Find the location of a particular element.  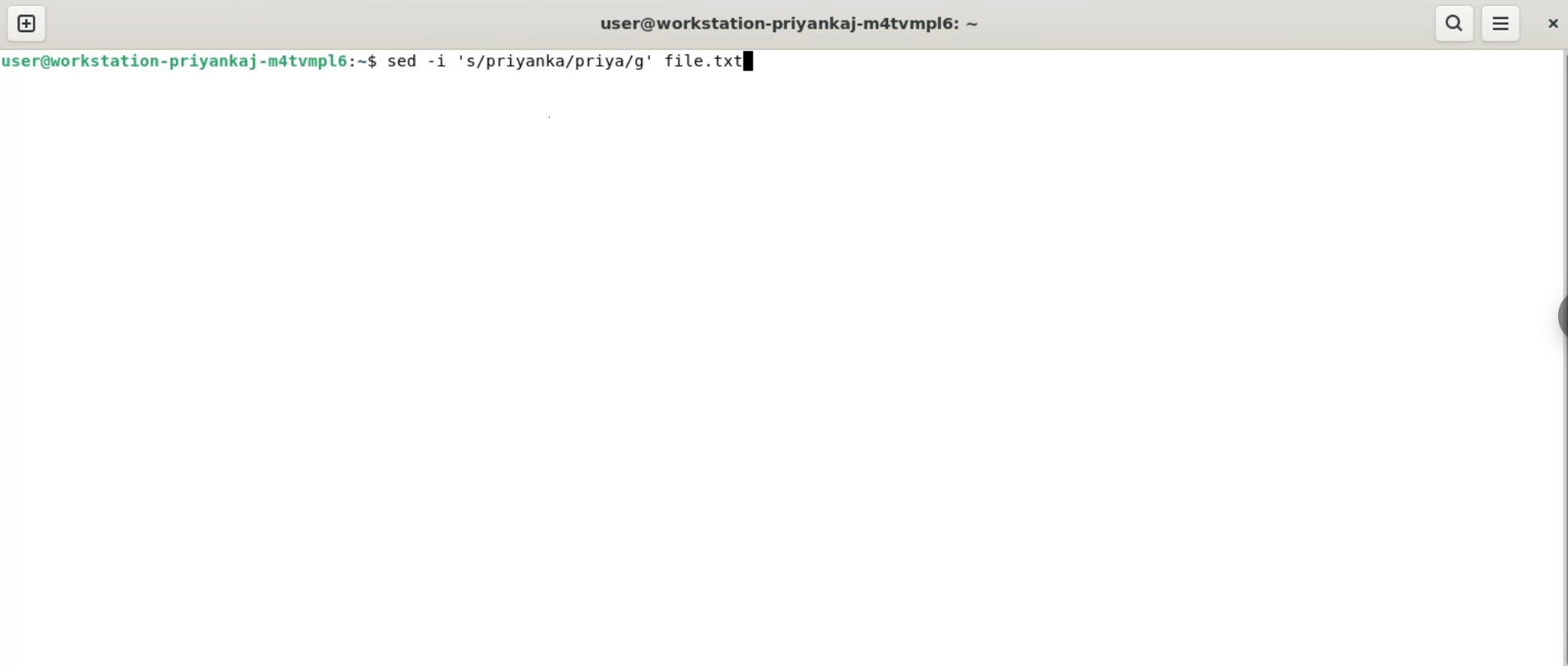

user@workstation-priyankaj-matvmpl6:~$  is located at coordinates (192, 59).